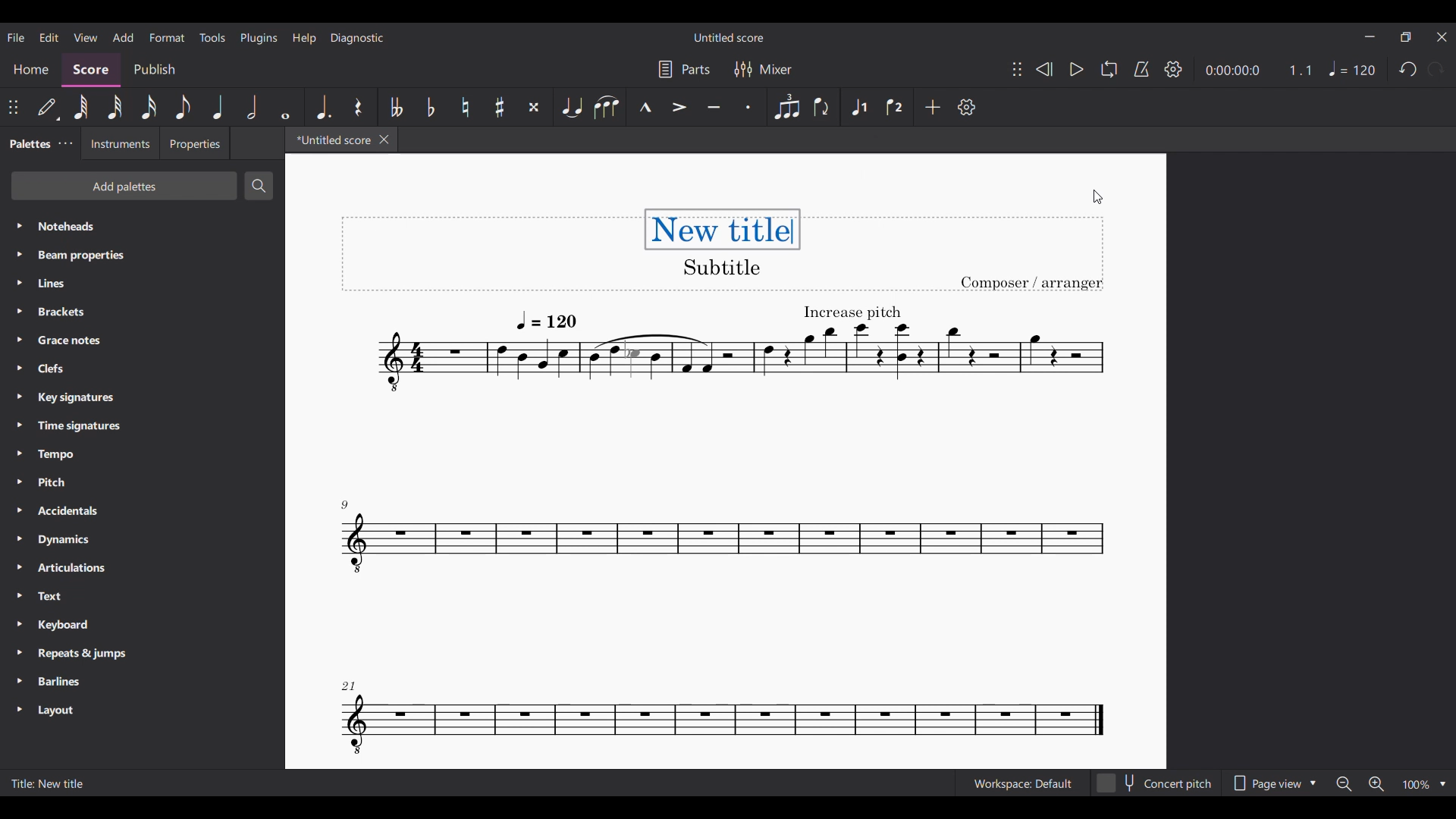  Describe the element at coordinates (143, 682) in the screenshot. I see `Barlines` at that location.